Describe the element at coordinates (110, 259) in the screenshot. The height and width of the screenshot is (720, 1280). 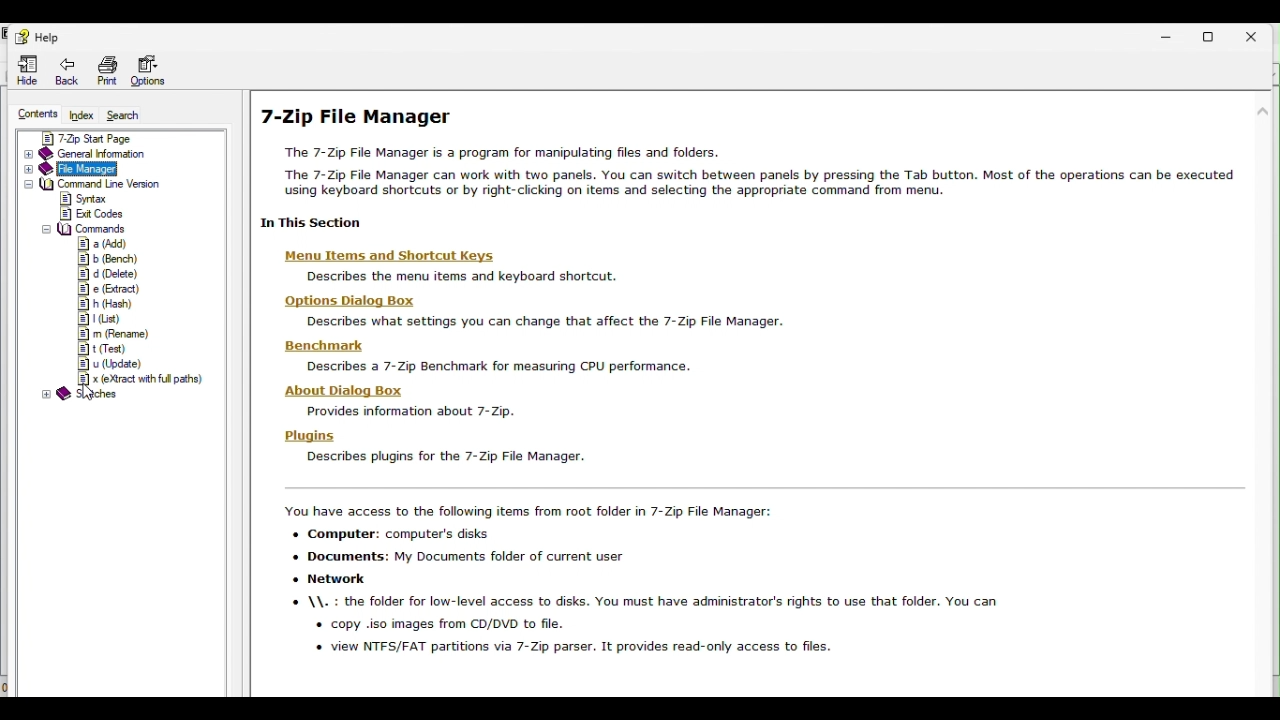
I see `b (Bench)` at that location.